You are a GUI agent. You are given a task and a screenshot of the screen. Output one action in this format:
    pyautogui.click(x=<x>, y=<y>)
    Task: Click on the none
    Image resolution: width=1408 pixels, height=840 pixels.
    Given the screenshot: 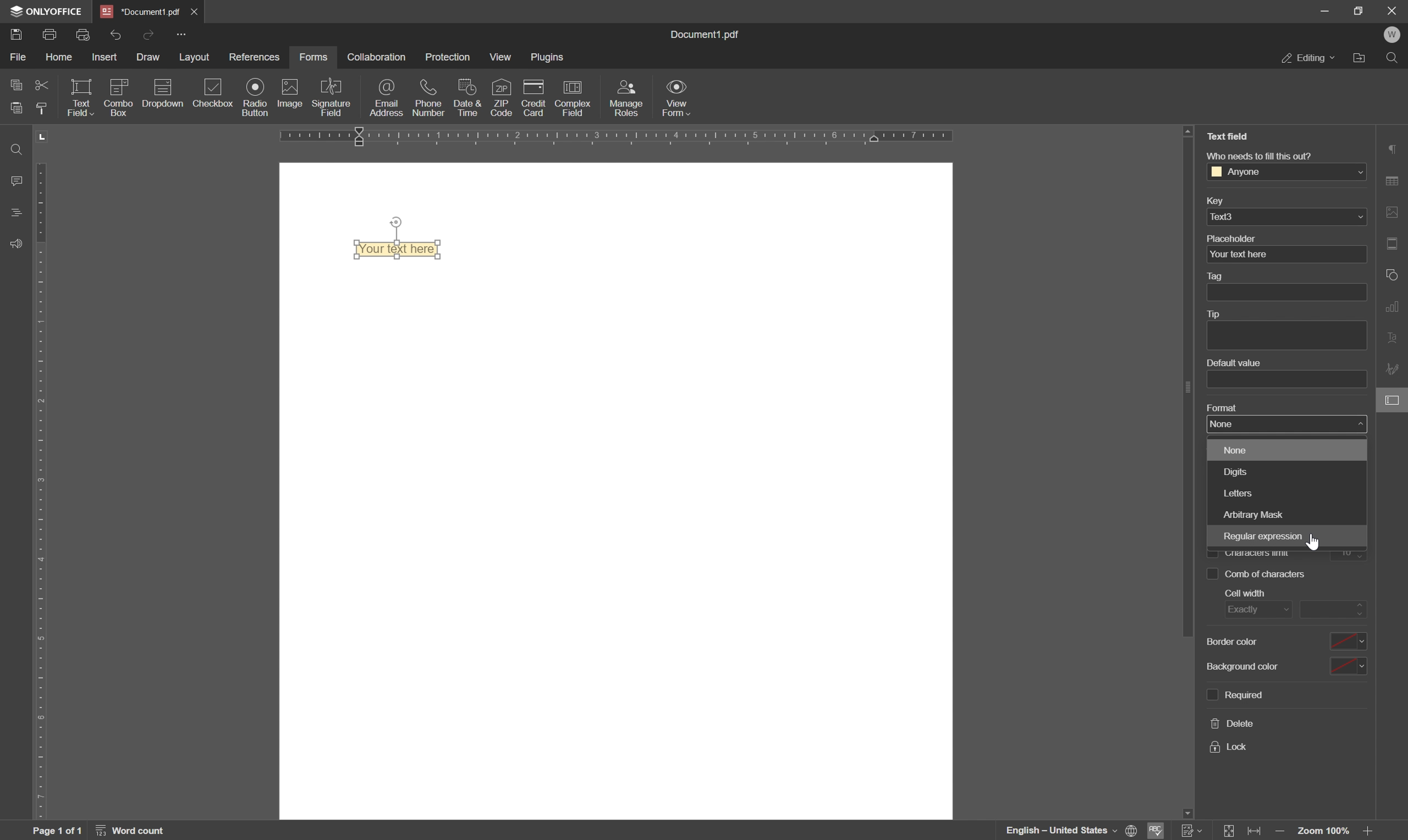 What is the action you would take?
    pyautogui.click(x=1281, y=423)
    